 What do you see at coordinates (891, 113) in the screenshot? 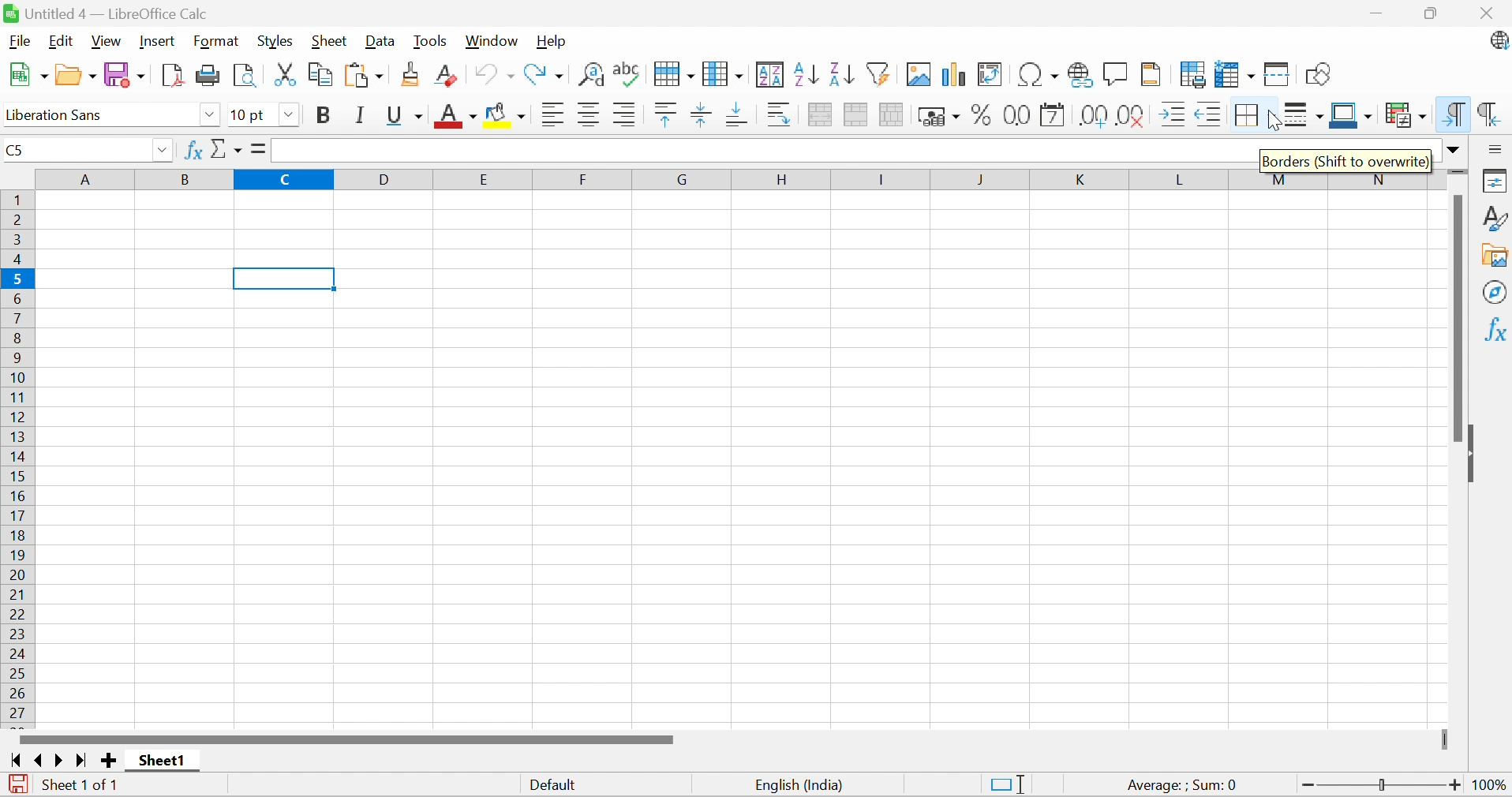
I see `Unmerge cells` at bounding box center [891, 113].